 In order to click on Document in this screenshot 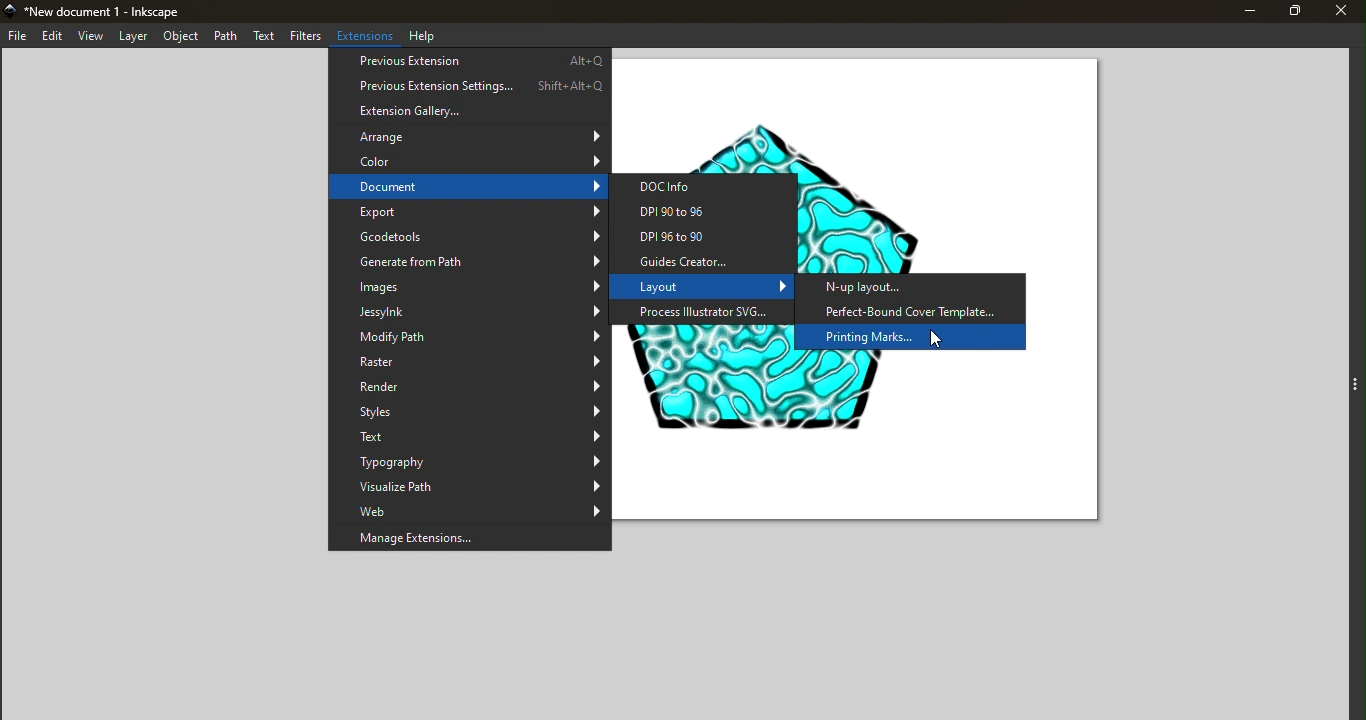, I will do `click(469, 188)`.